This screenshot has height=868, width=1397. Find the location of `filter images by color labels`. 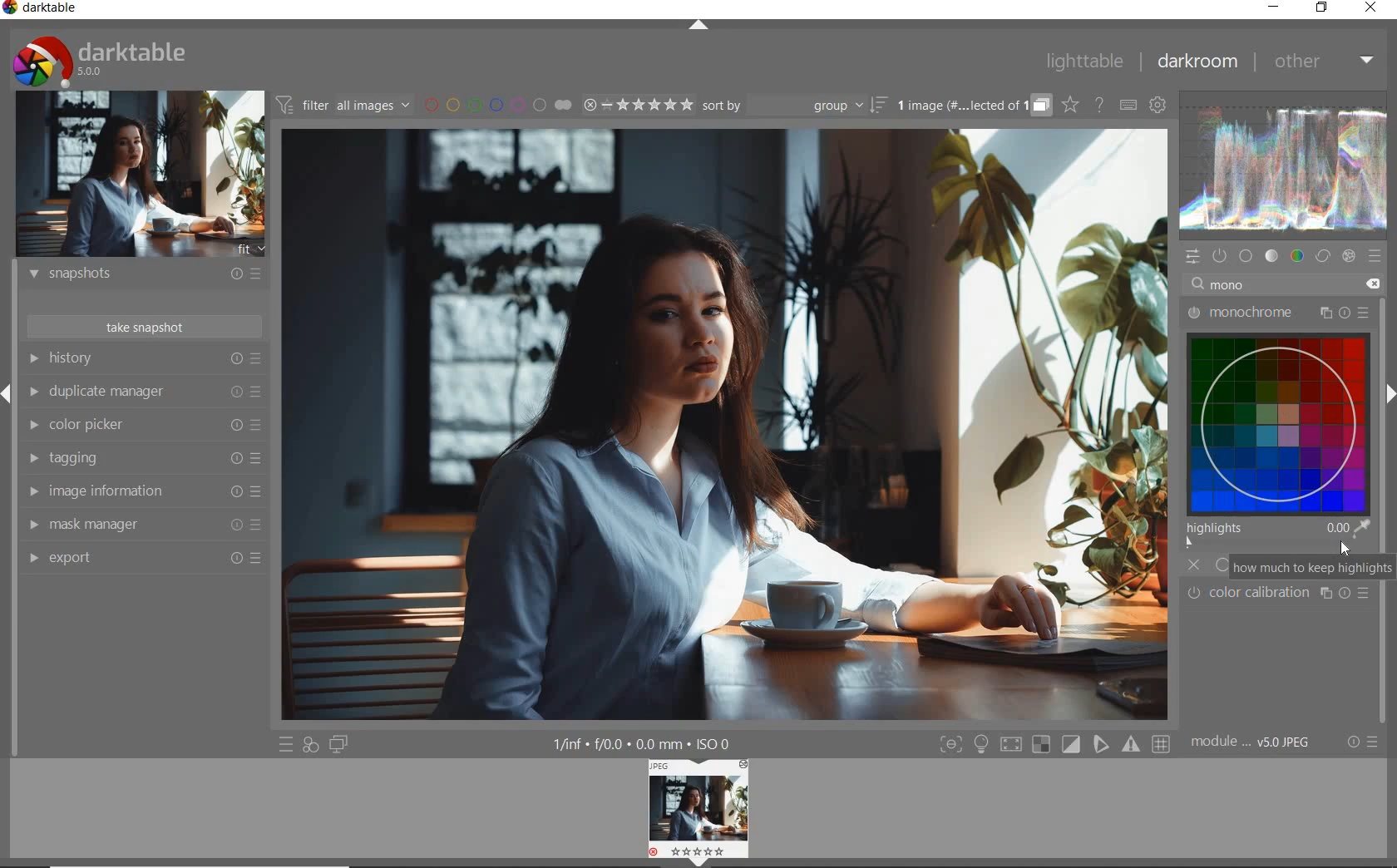

filter images by color labels is located at coordinates (496, 106).